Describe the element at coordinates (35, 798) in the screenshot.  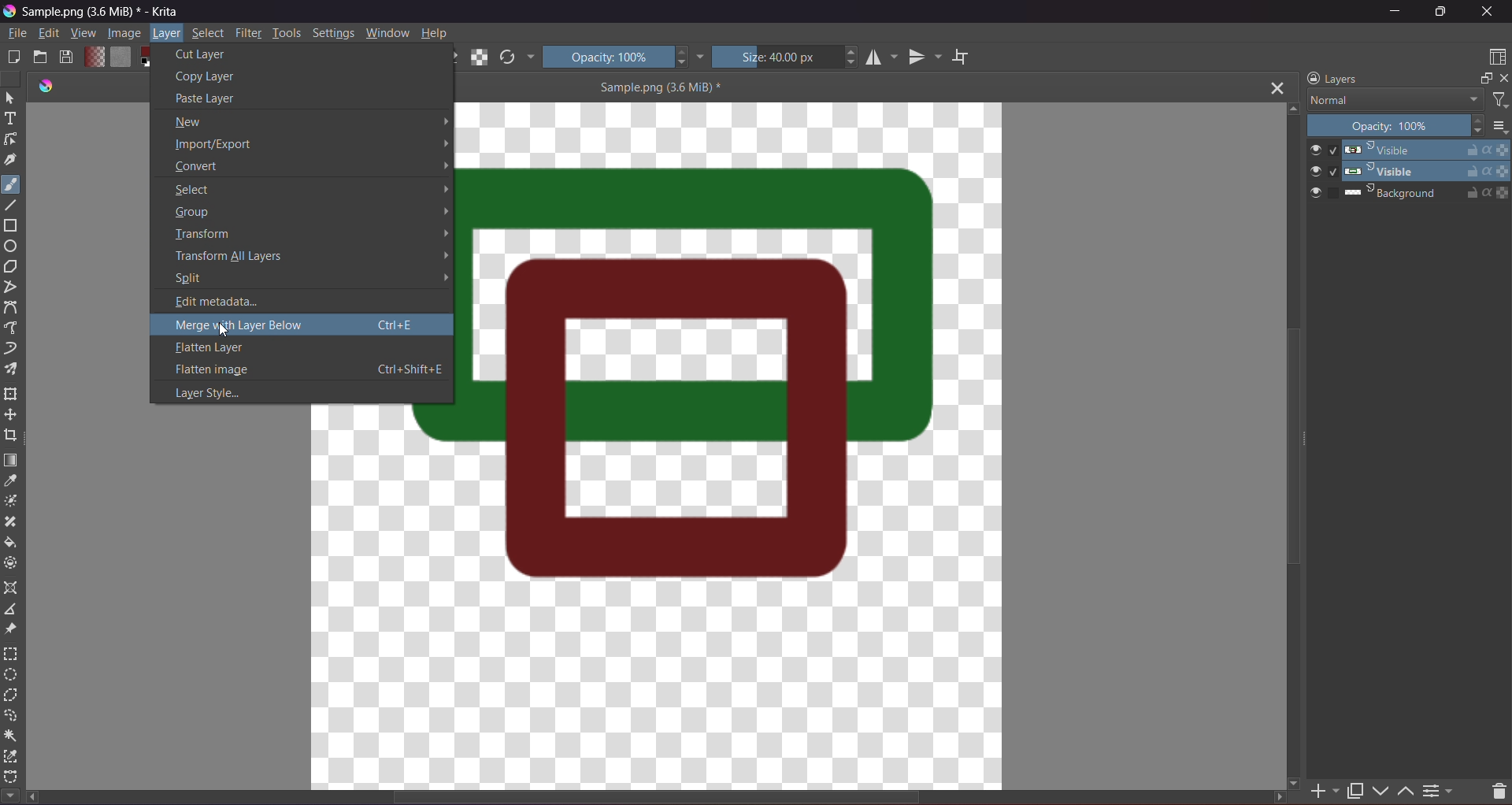
I see `Scroll left` at that location.